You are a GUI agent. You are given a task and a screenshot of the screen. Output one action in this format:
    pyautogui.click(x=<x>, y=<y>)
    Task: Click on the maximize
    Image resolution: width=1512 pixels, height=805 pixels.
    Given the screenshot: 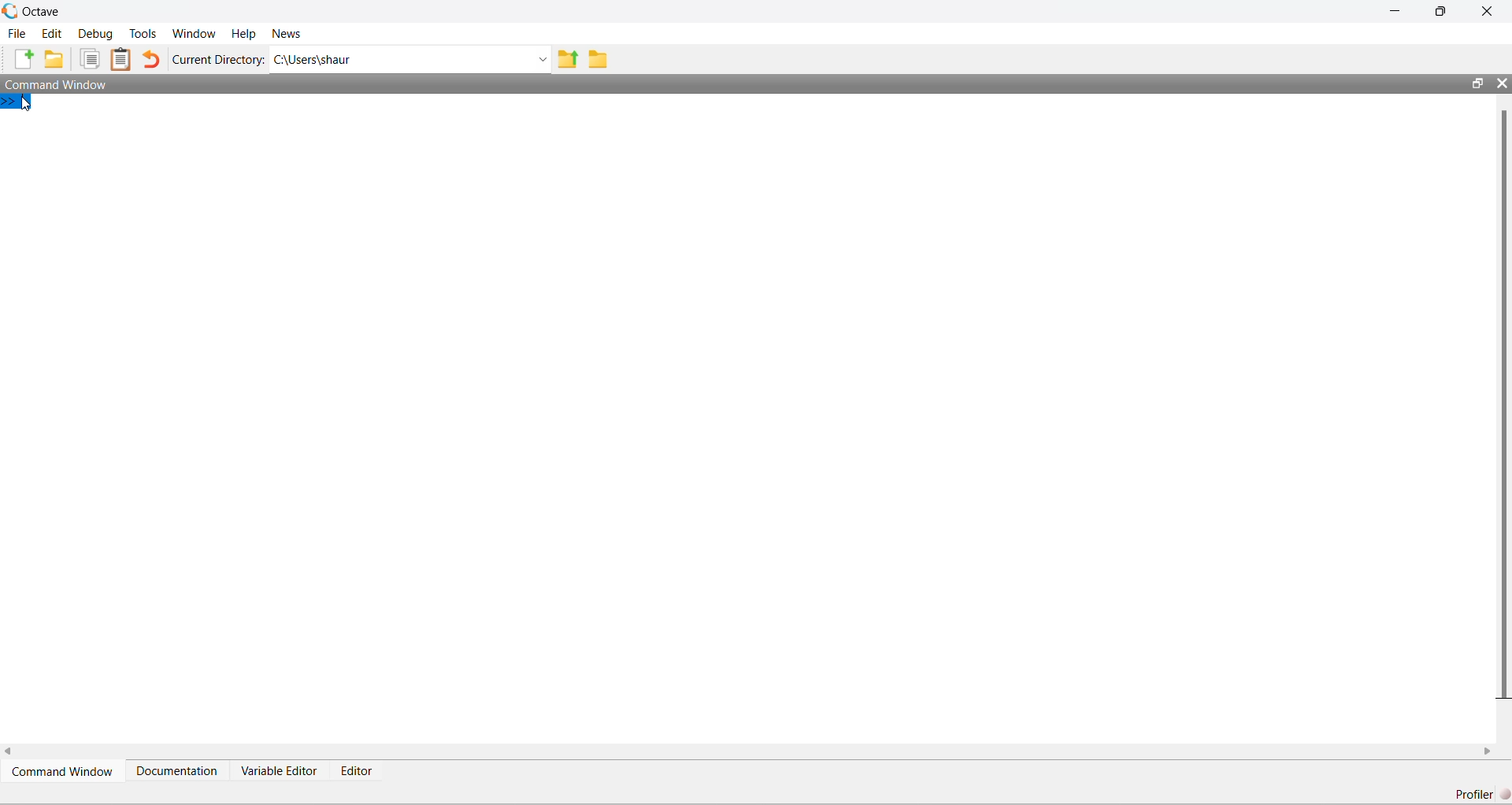 What is the action you would take?
    pyautogui.click(x=1477, y=83)
    